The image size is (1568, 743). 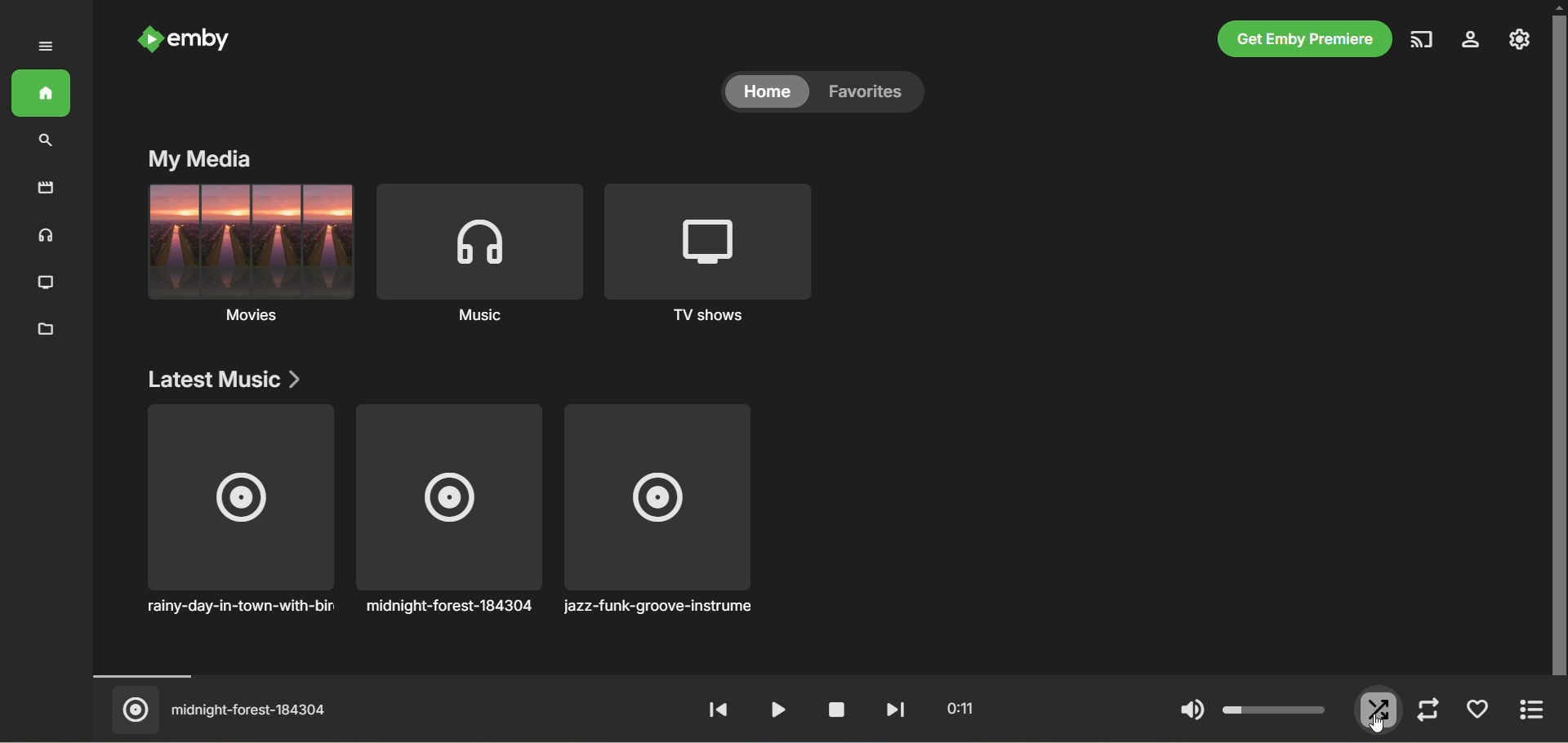 What do you see at coordinates (48, 47) in the screenshot?
I see `expand` at bounding box center [48, 47].